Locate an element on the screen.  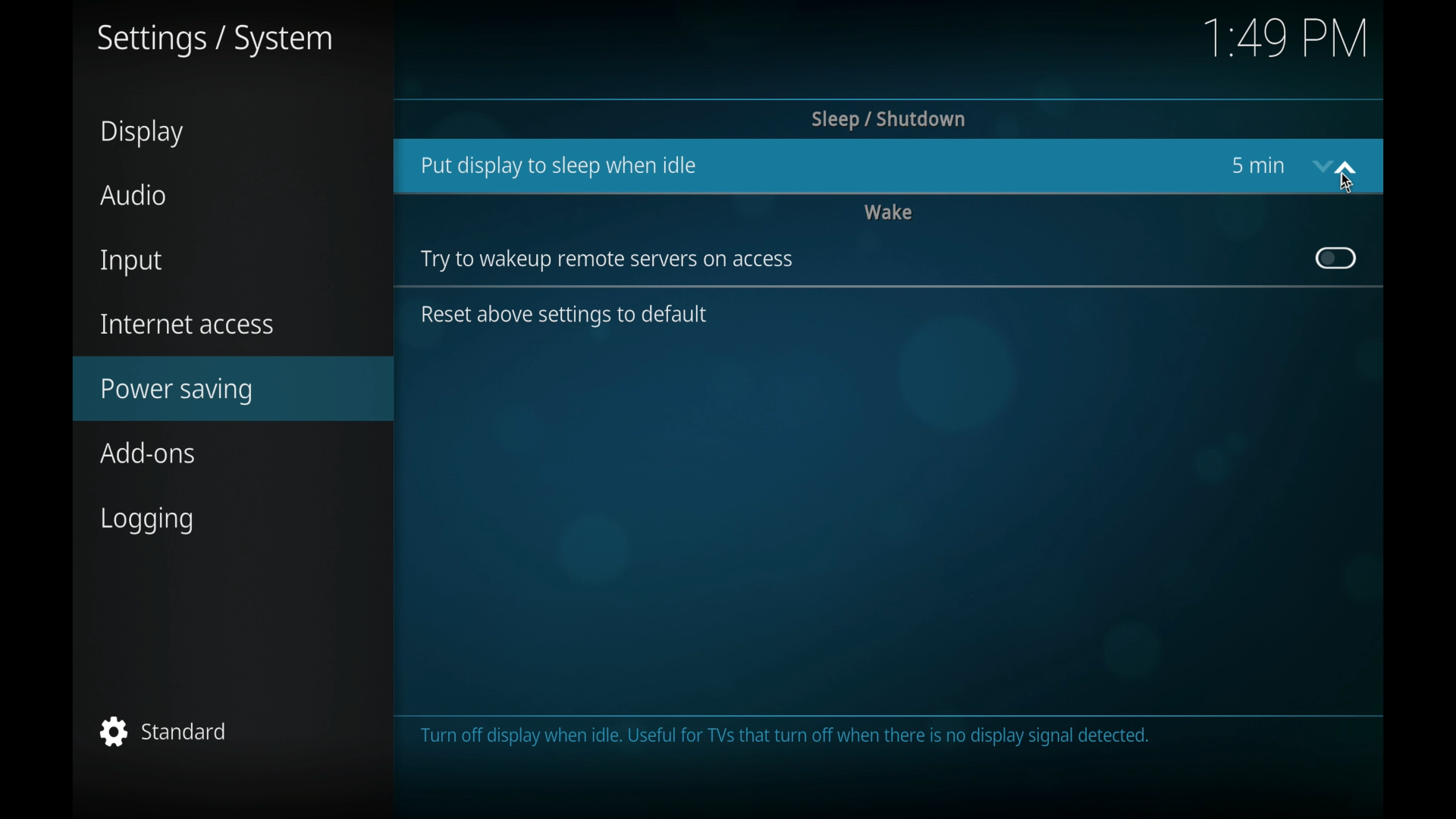
sleep/shutdown is located at coordinates (888, 119).